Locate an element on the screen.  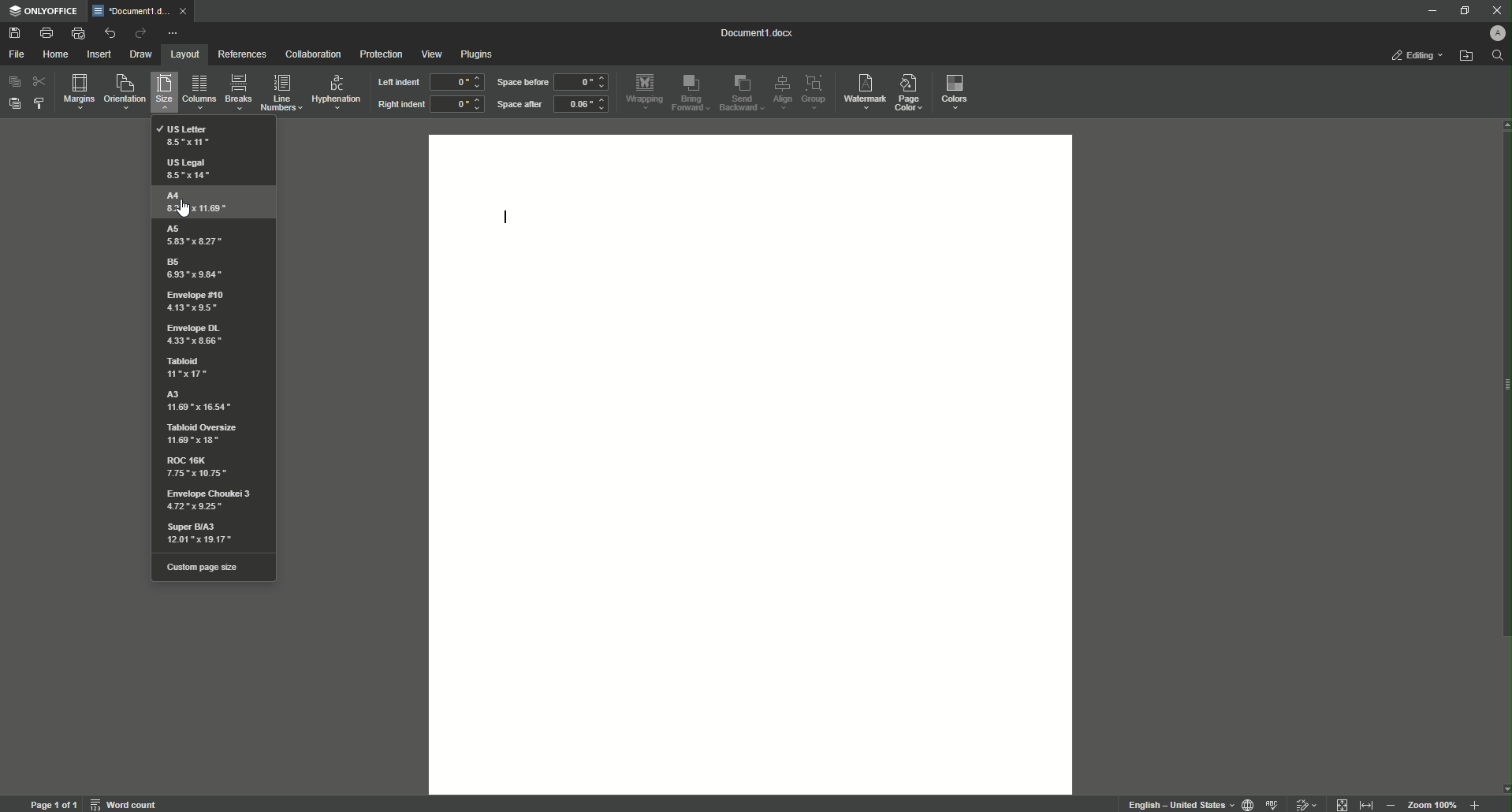
Plugins is located at coordinates (480, 54).